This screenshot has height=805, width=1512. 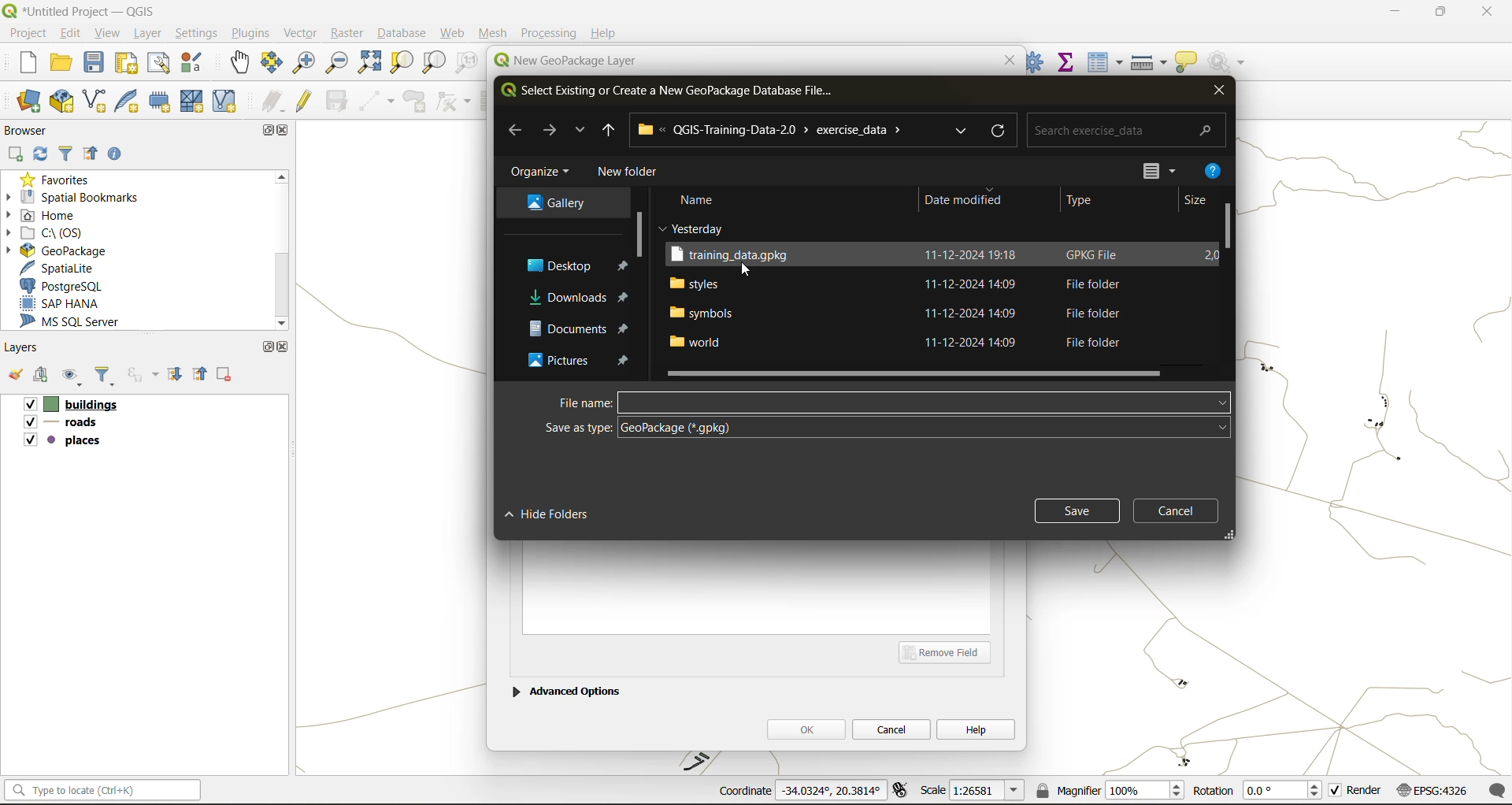 What do you see at coordinates (550, 33) in the screenshot?
I see `Processing` at bounding box center [550, 33].